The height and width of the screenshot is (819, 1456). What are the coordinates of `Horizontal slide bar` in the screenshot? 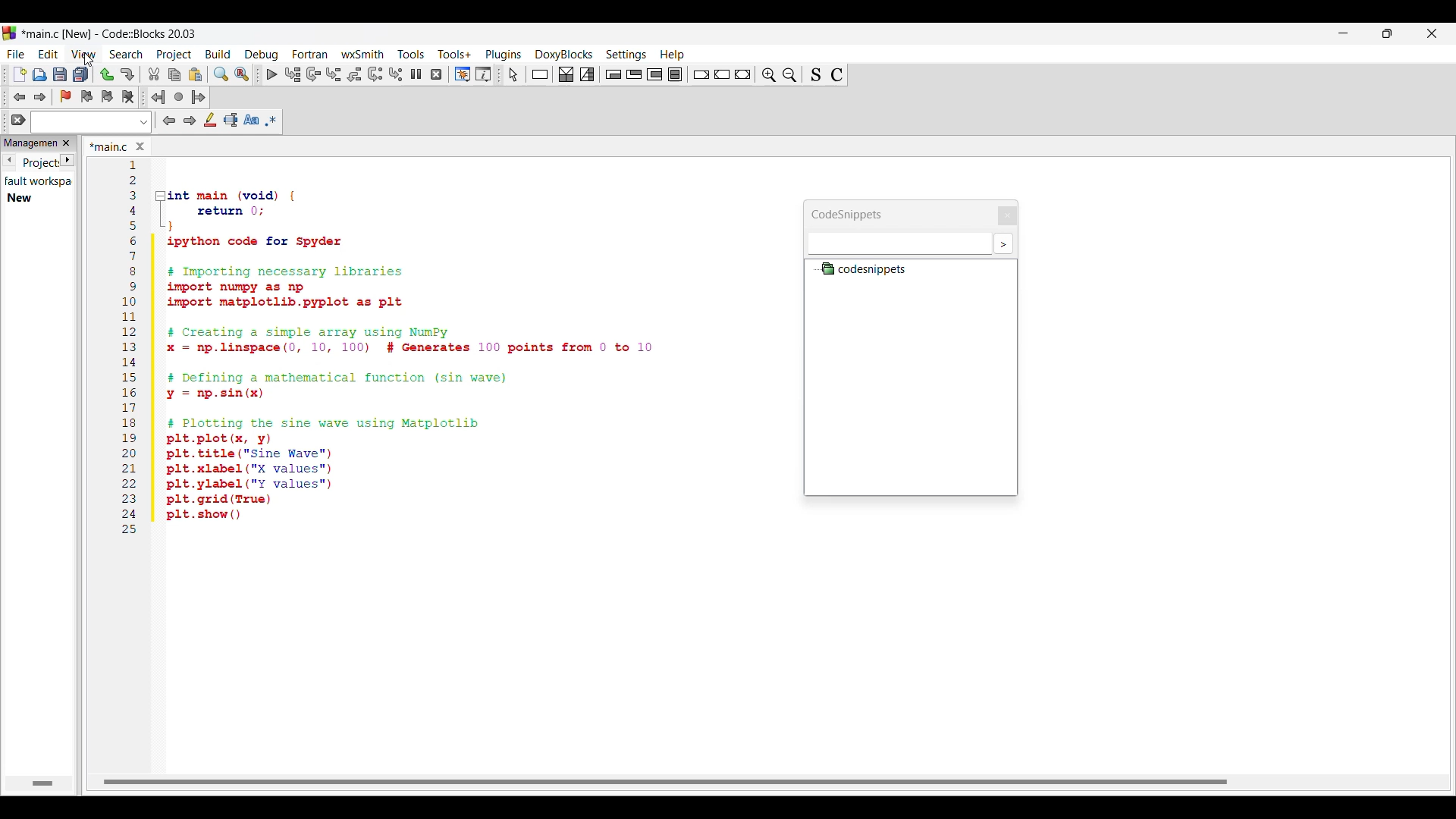 It's located at (670, 782).